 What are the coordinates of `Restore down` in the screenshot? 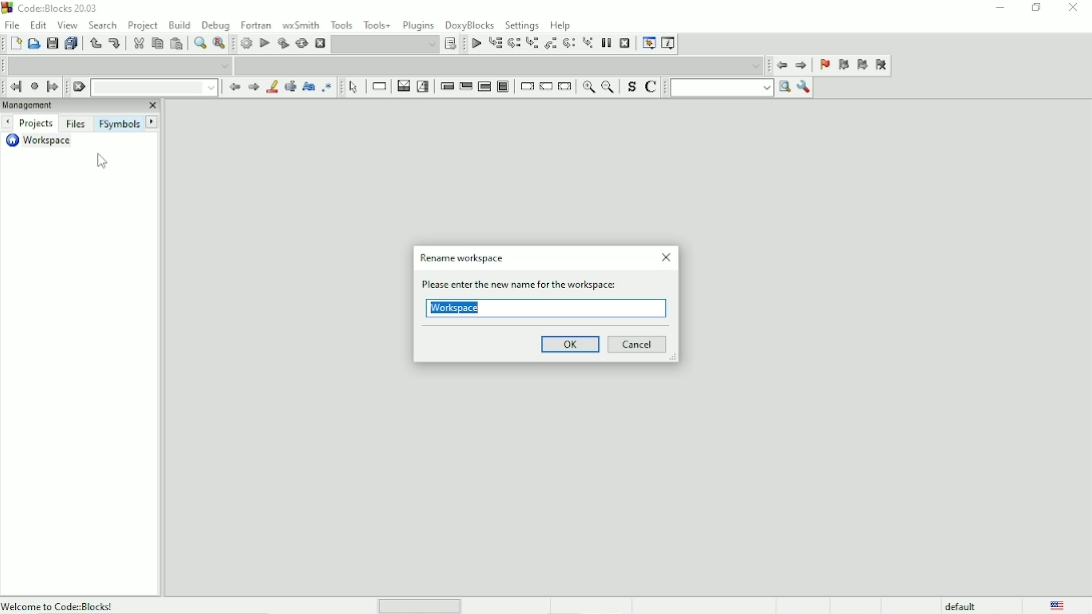 It's located at (1035, 8).